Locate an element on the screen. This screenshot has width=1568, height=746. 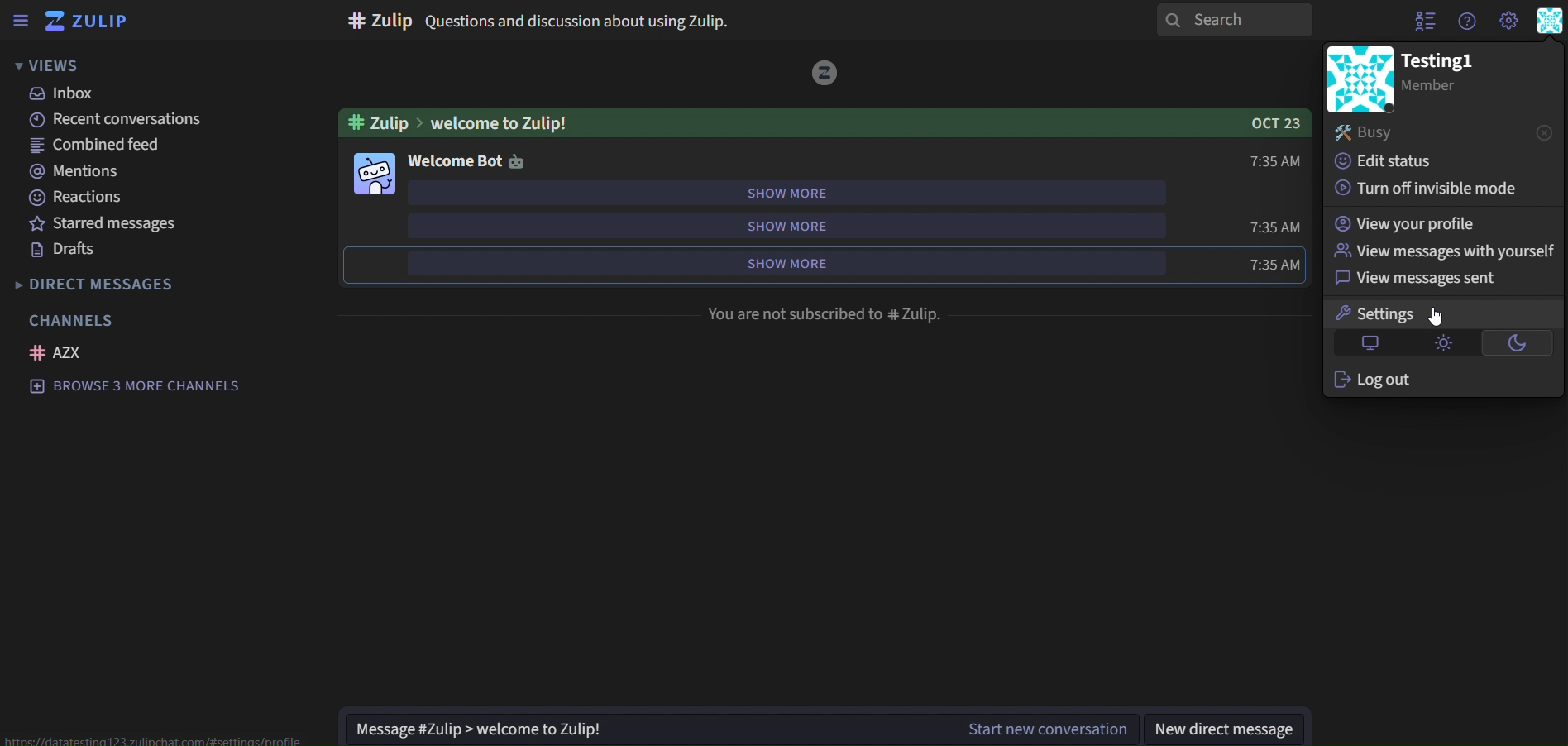
recent conversations is located at coordinates (113, 118).